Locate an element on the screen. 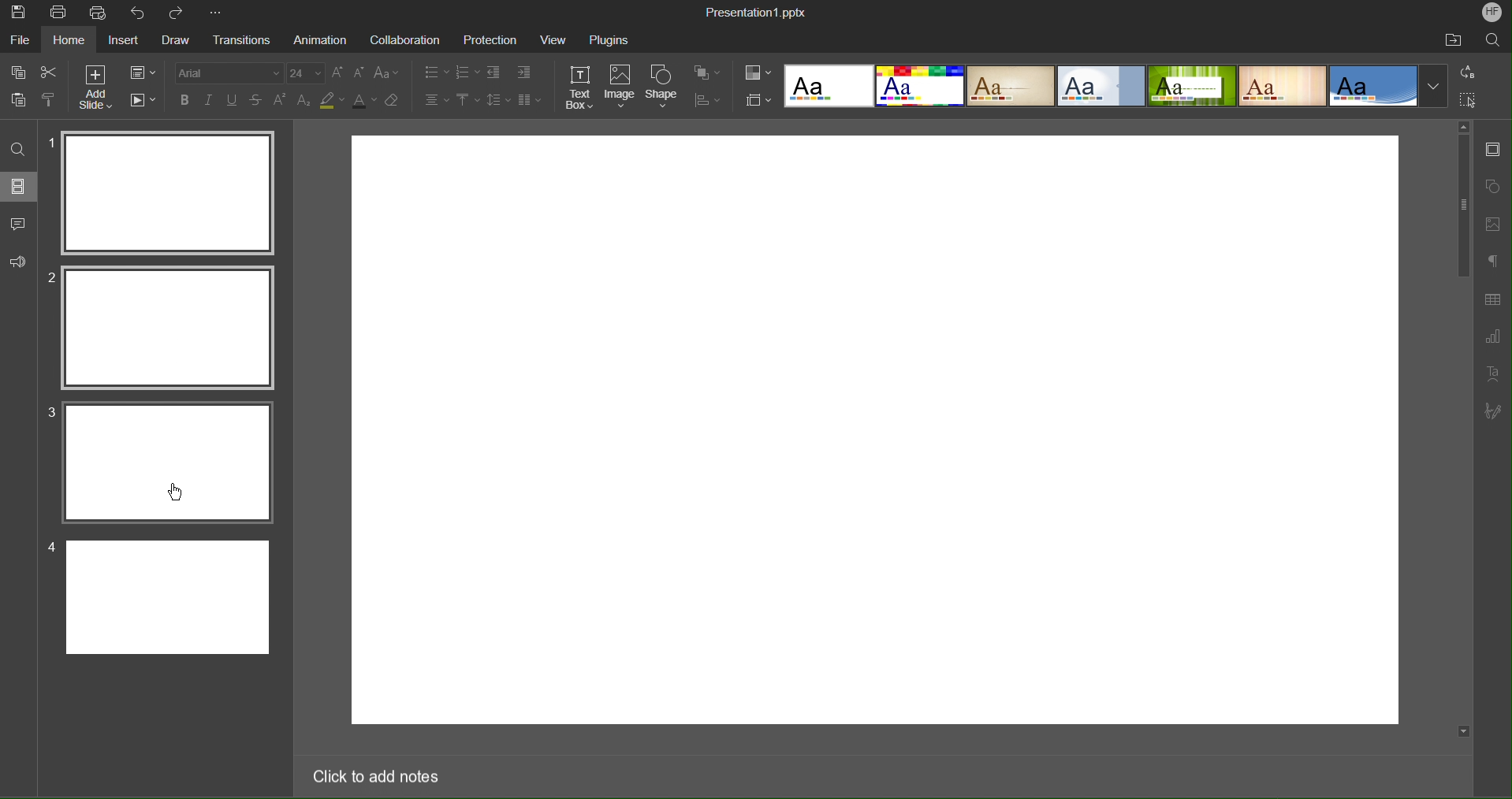  Vertical Align is located at coordinates (467, 98).